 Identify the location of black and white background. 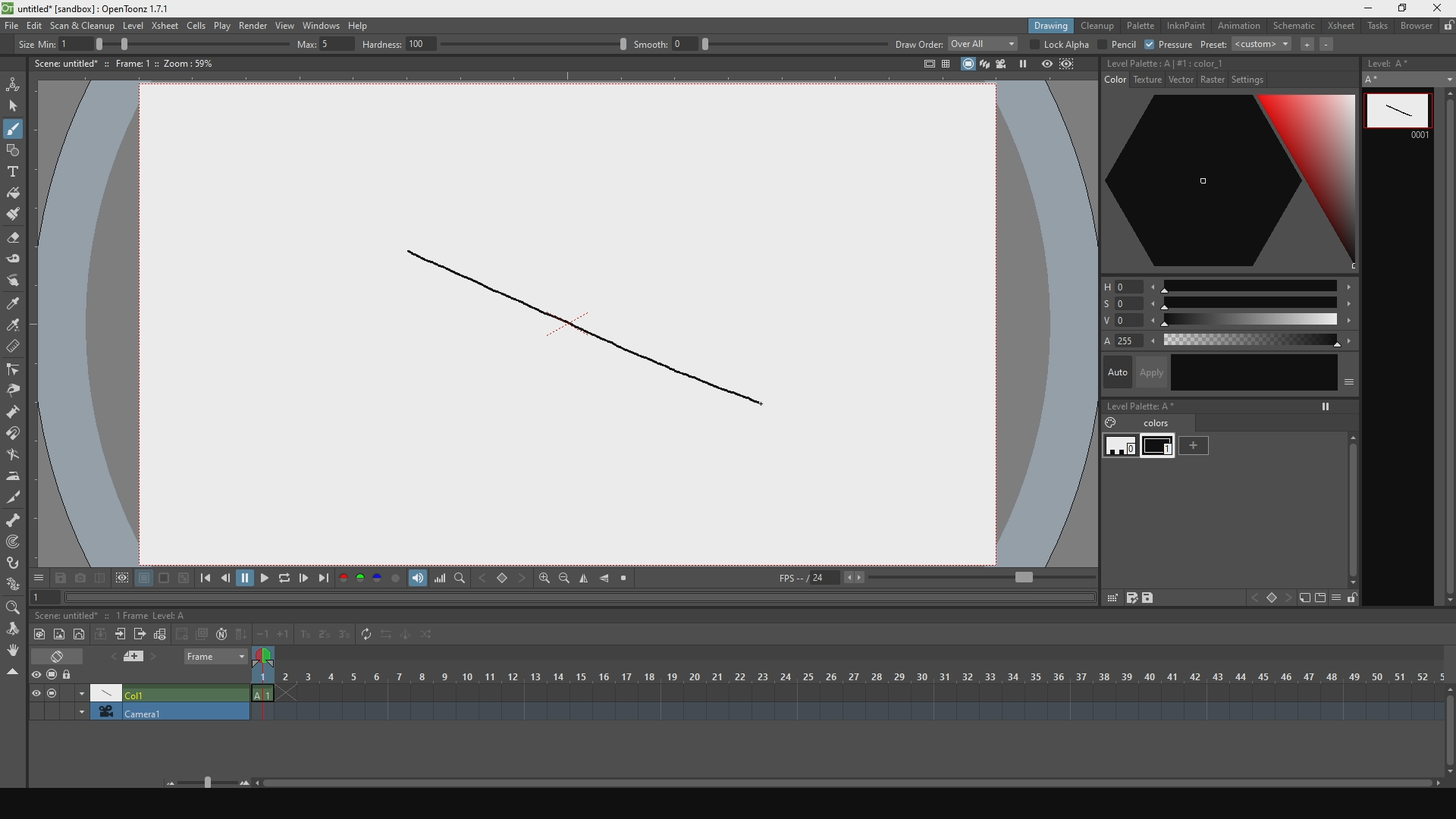
(182, 580).